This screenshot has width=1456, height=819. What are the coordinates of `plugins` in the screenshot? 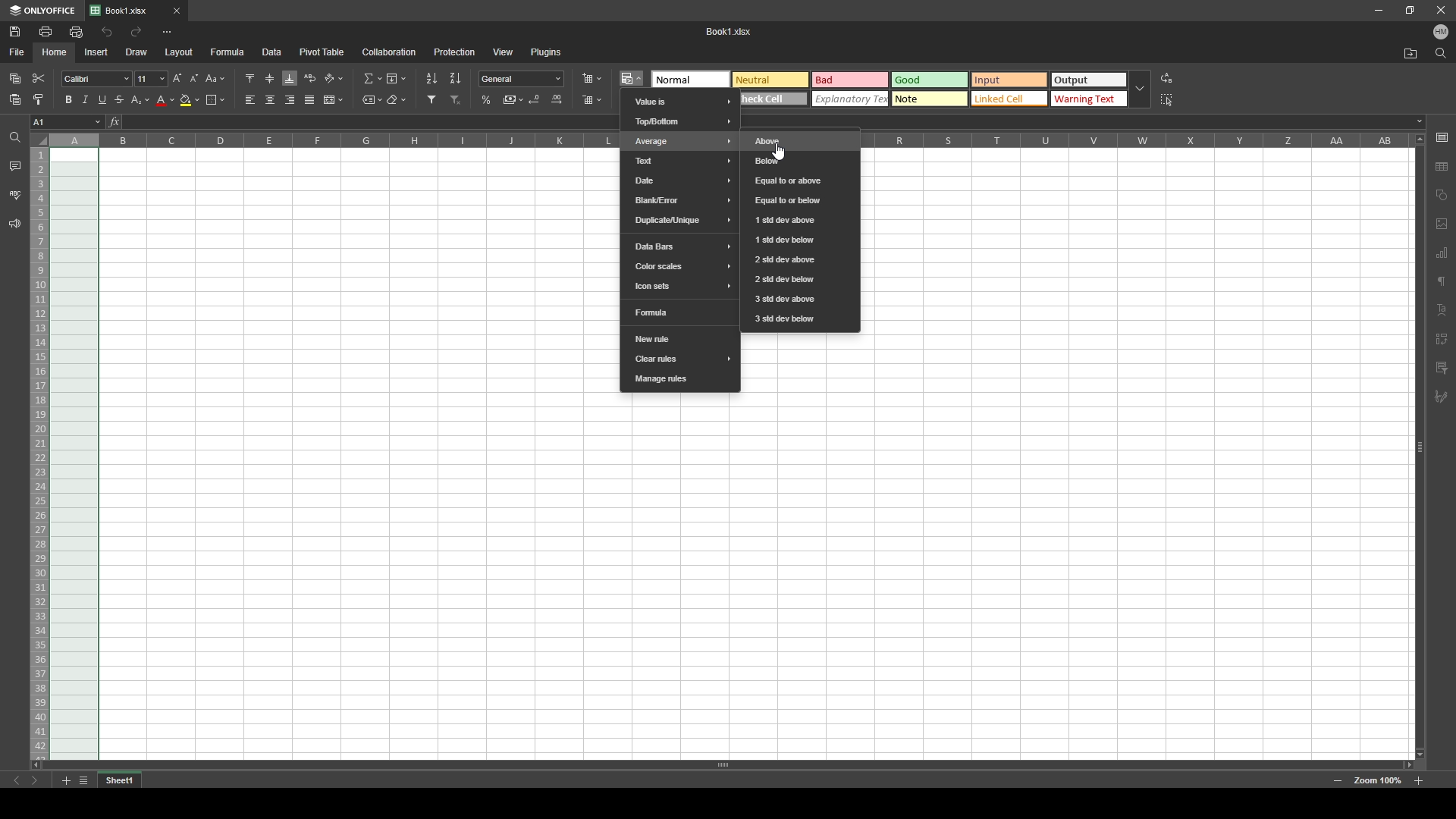 It's located at (548, 51).